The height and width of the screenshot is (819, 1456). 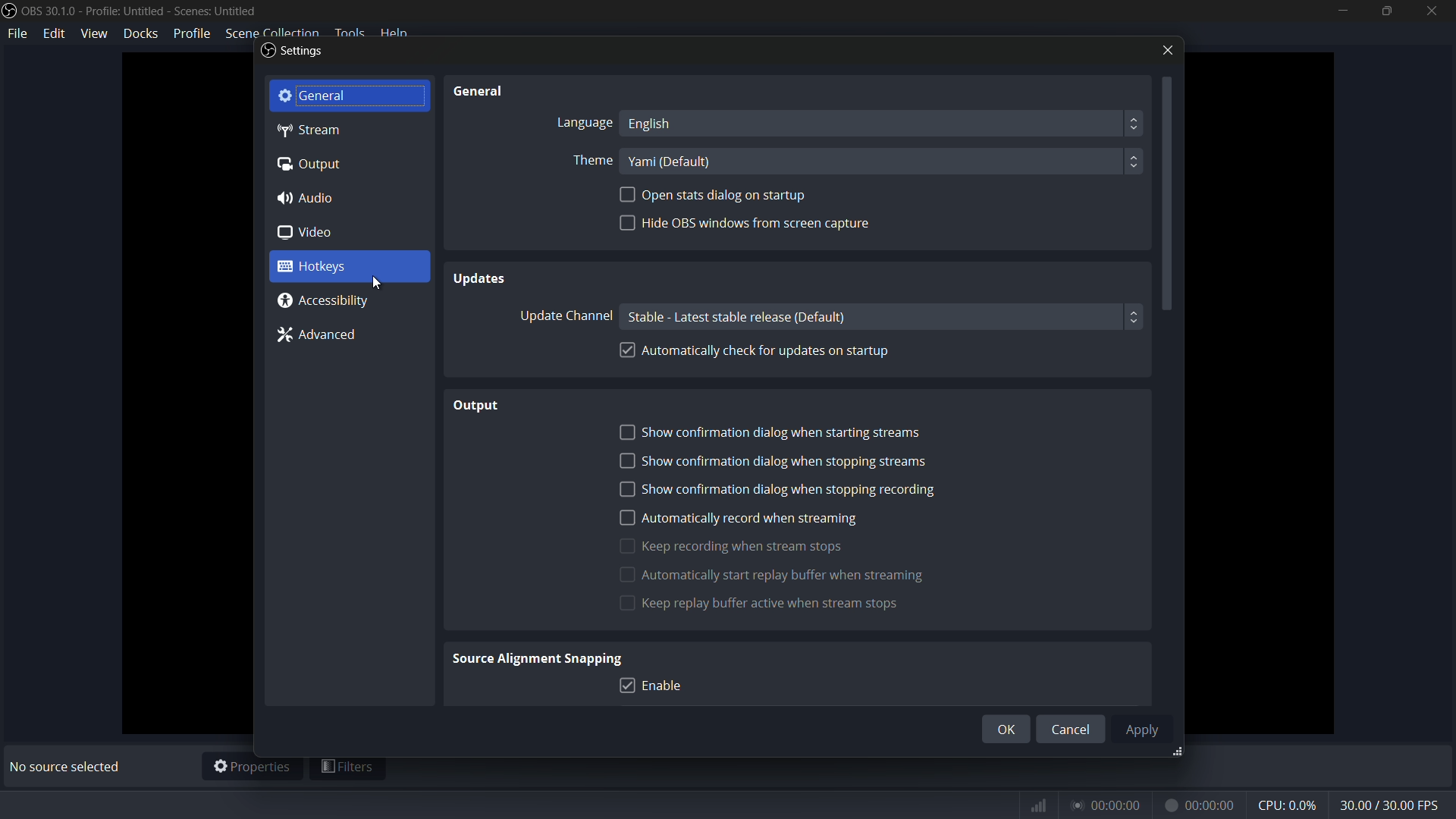 I want to click on Source Alignment Snapping, so click(x=538, y=659).